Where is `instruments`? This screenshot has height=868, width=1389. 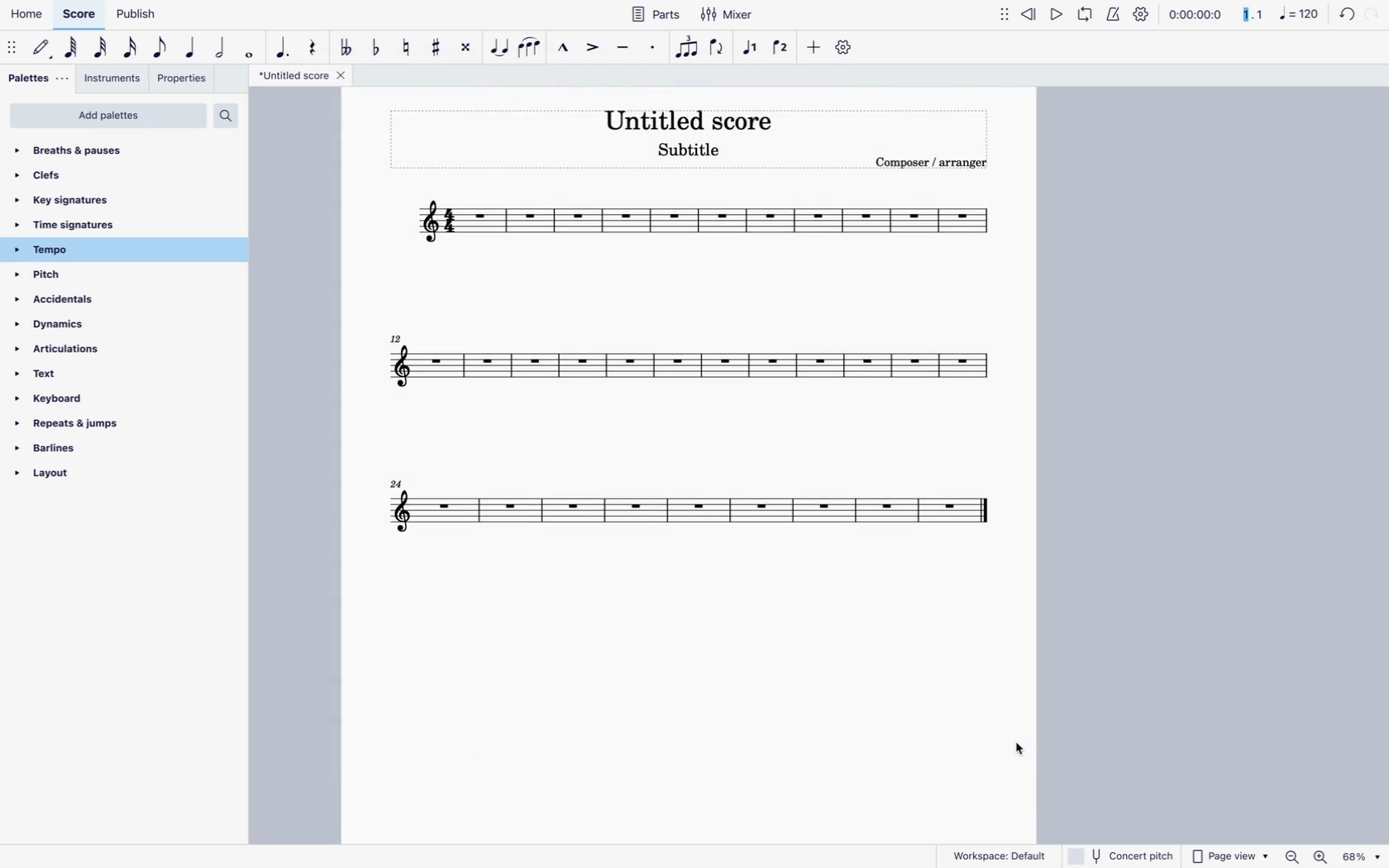
instruments is located at coordinates (112, 78).